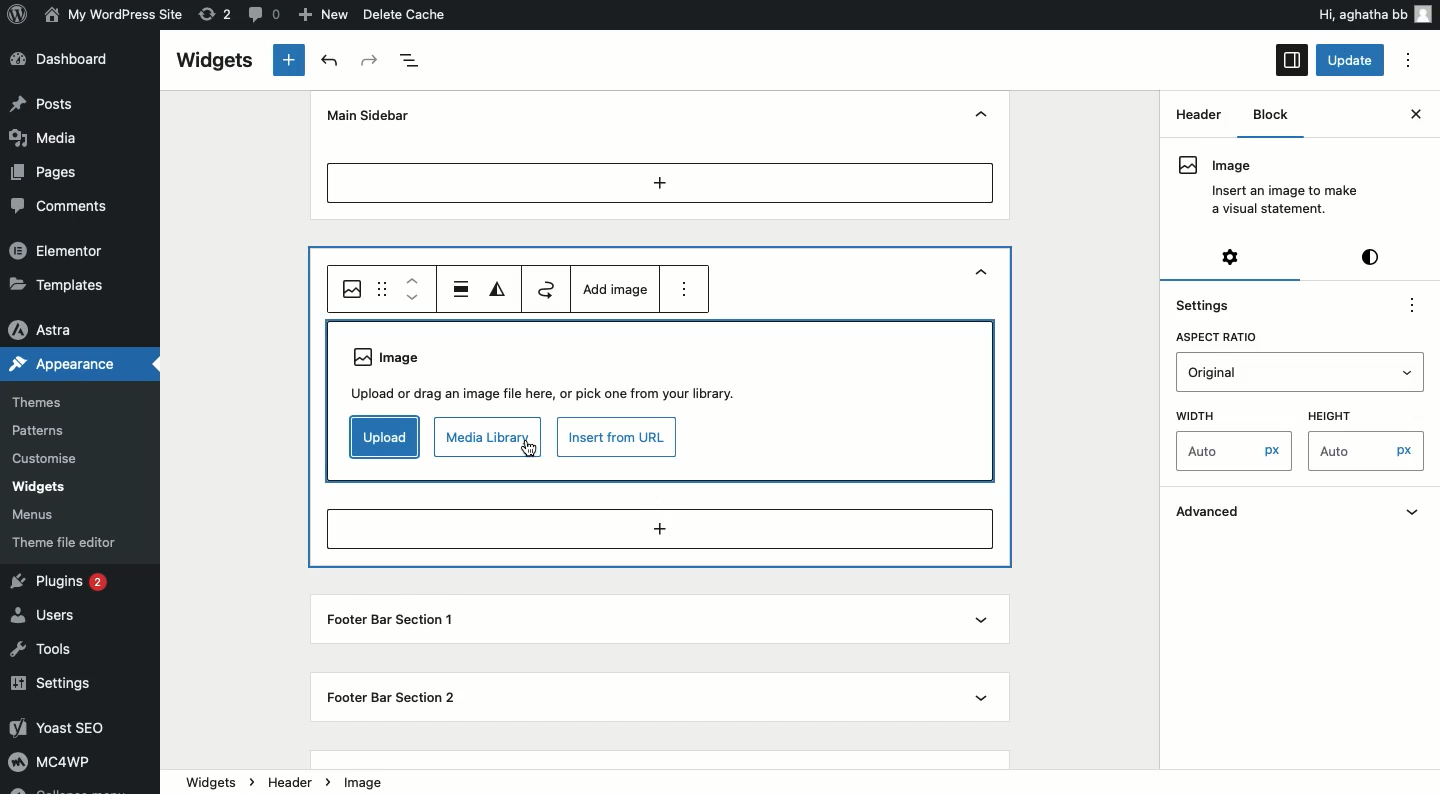 This screenshot has height=794, width=1440. Describe the element at coordinates (41, 430) in the screenshot. I see `Patterns` at that location.